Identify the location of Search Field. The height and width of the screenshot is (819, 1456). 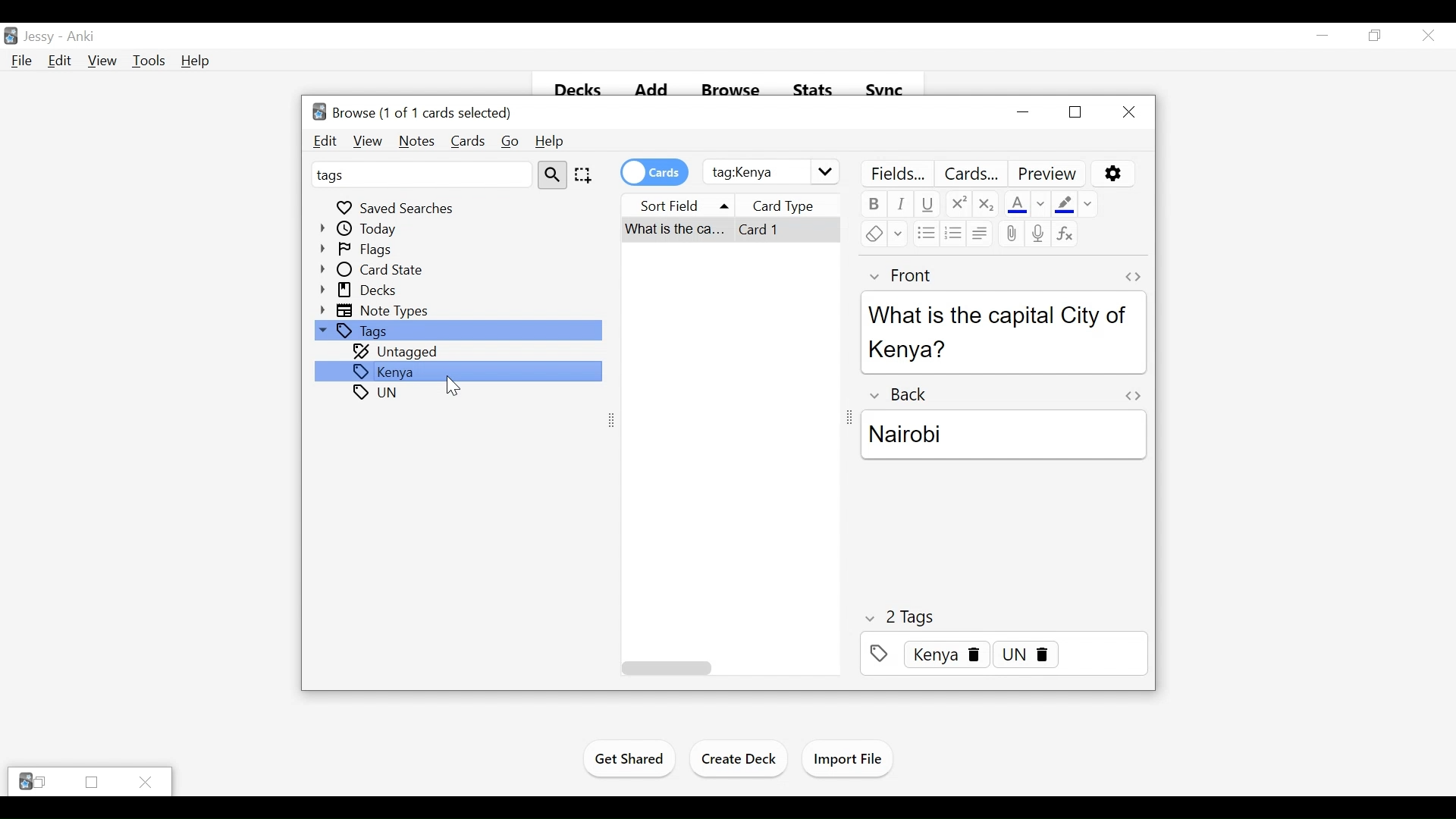
(771, 172).